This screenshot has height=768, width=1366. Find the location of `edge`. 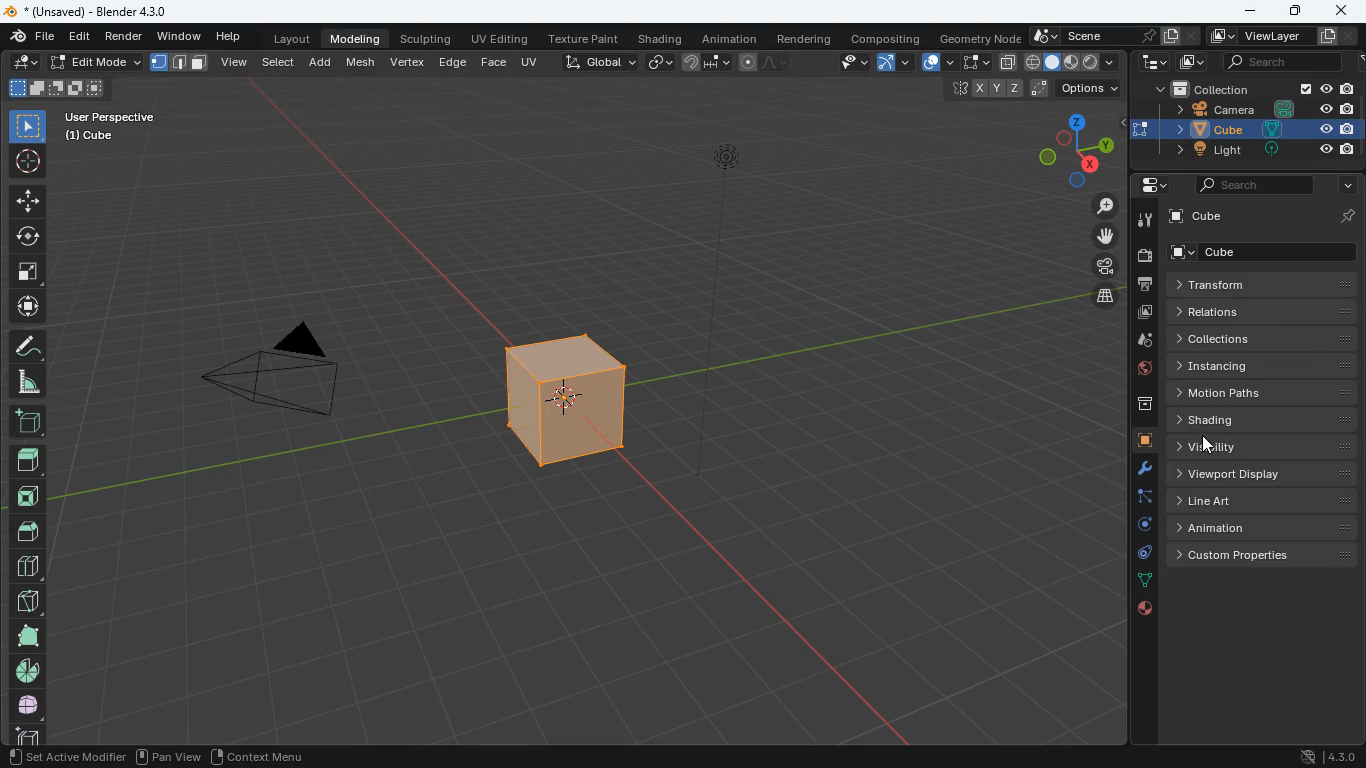

edge is located at coordinates (1137, 498).